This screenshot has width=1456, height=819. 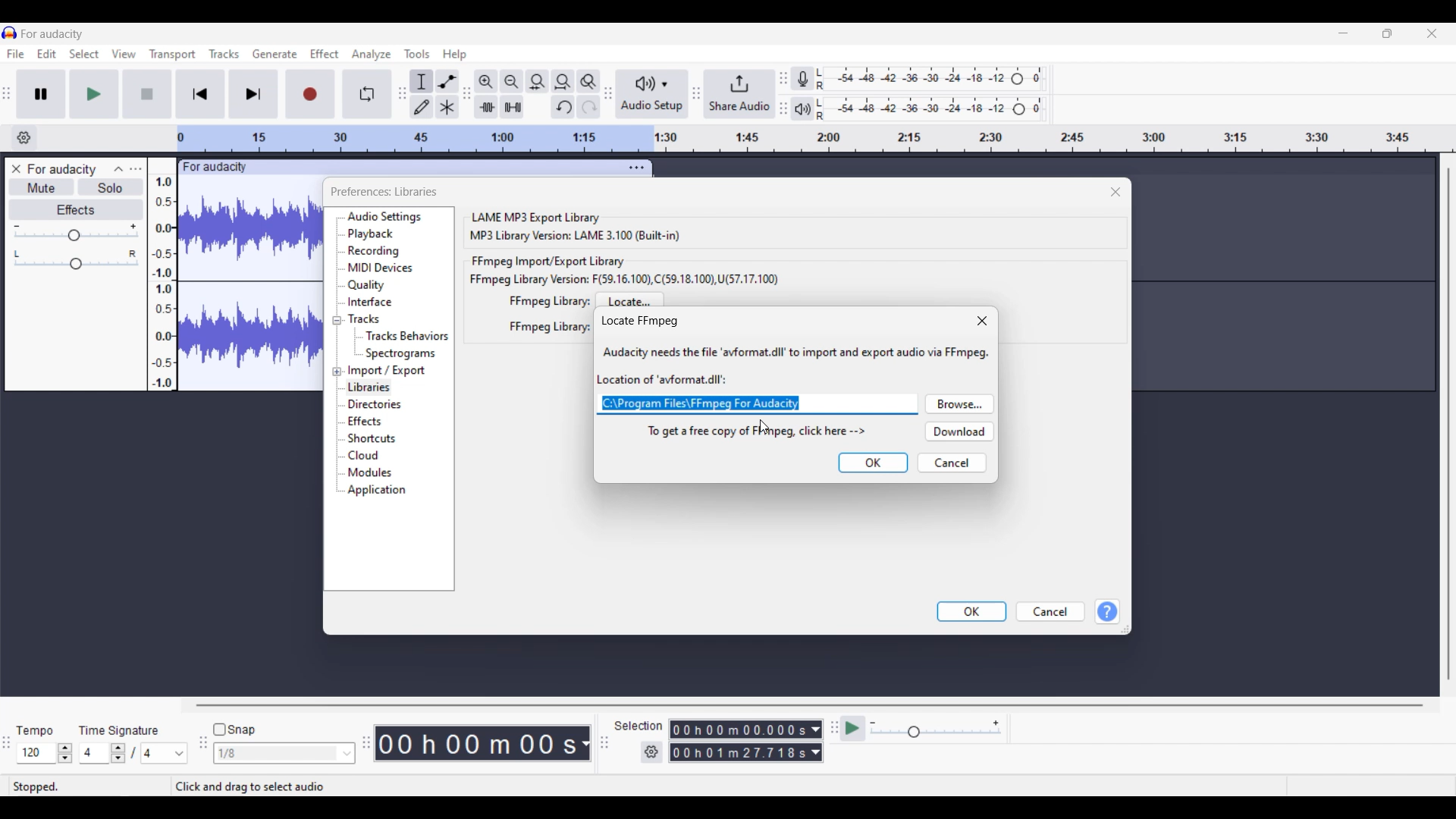 What do you see at coordinates (363, 318) in the screenshot?
I see `Tracks` at bounding box center [363, 318].